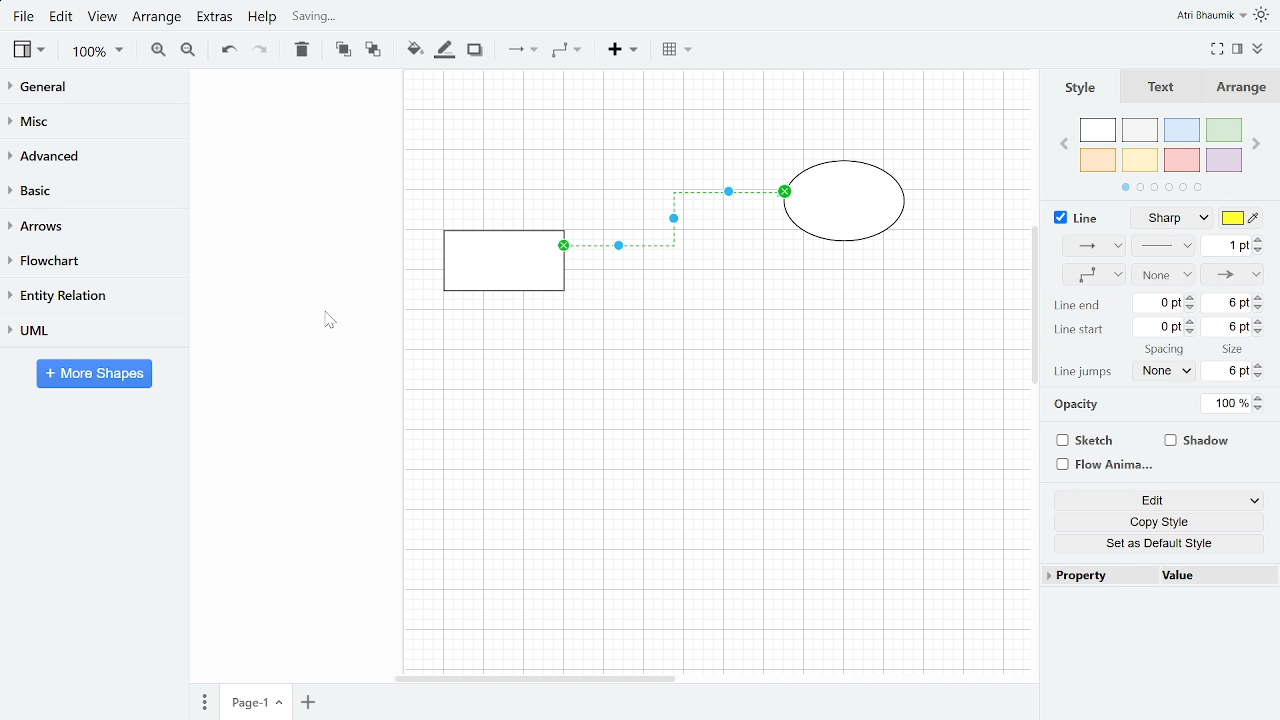 The width and height of the screenshot is (1280, 720). I want to click on Pattern, so click(1166, 247).